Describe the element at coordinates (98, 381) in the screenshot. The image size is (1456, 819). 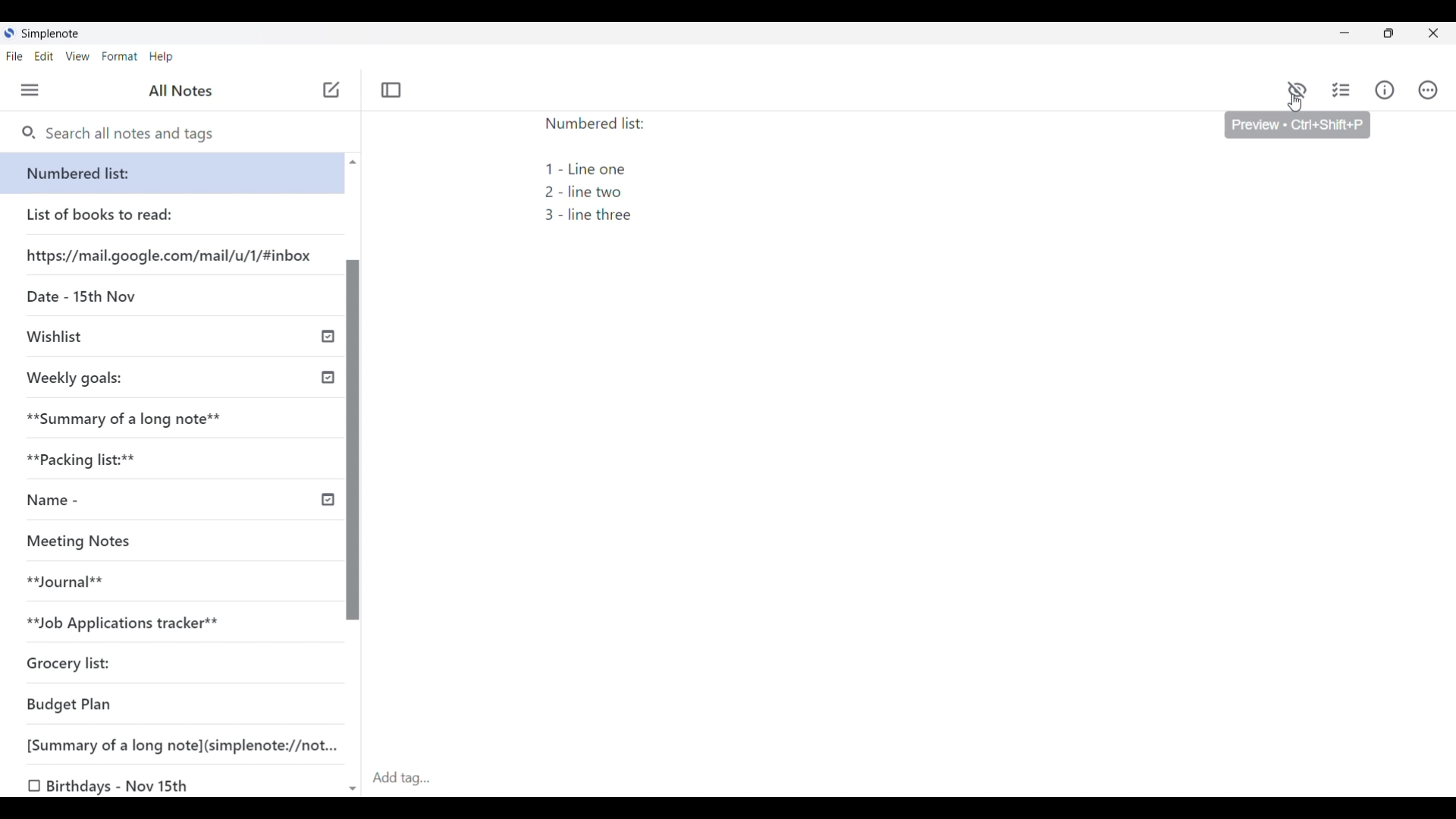
I see `Weekly goals:` at that location.